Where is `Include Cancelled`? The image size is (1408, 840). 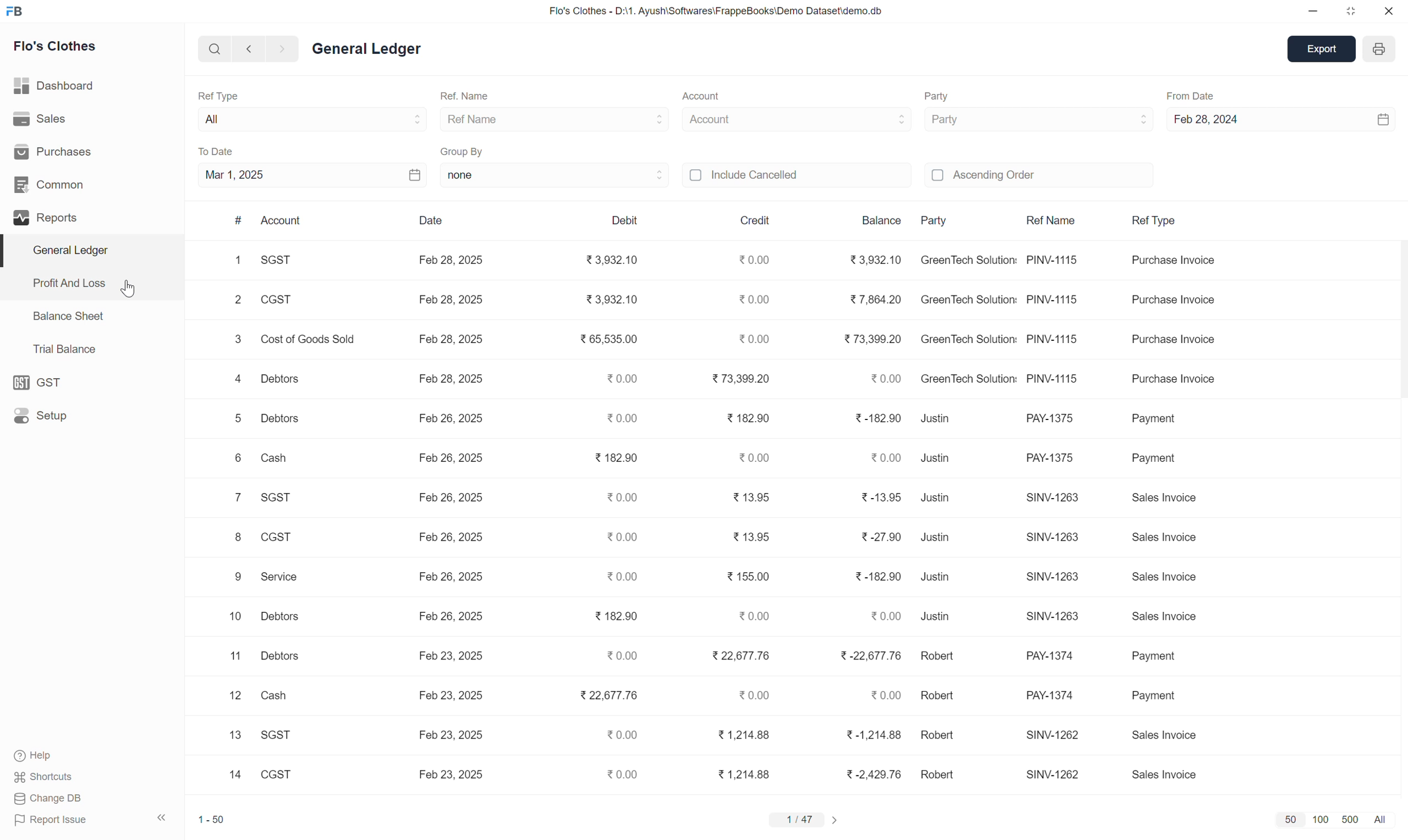
Include Cancelled is located at coordinates (785, 174).